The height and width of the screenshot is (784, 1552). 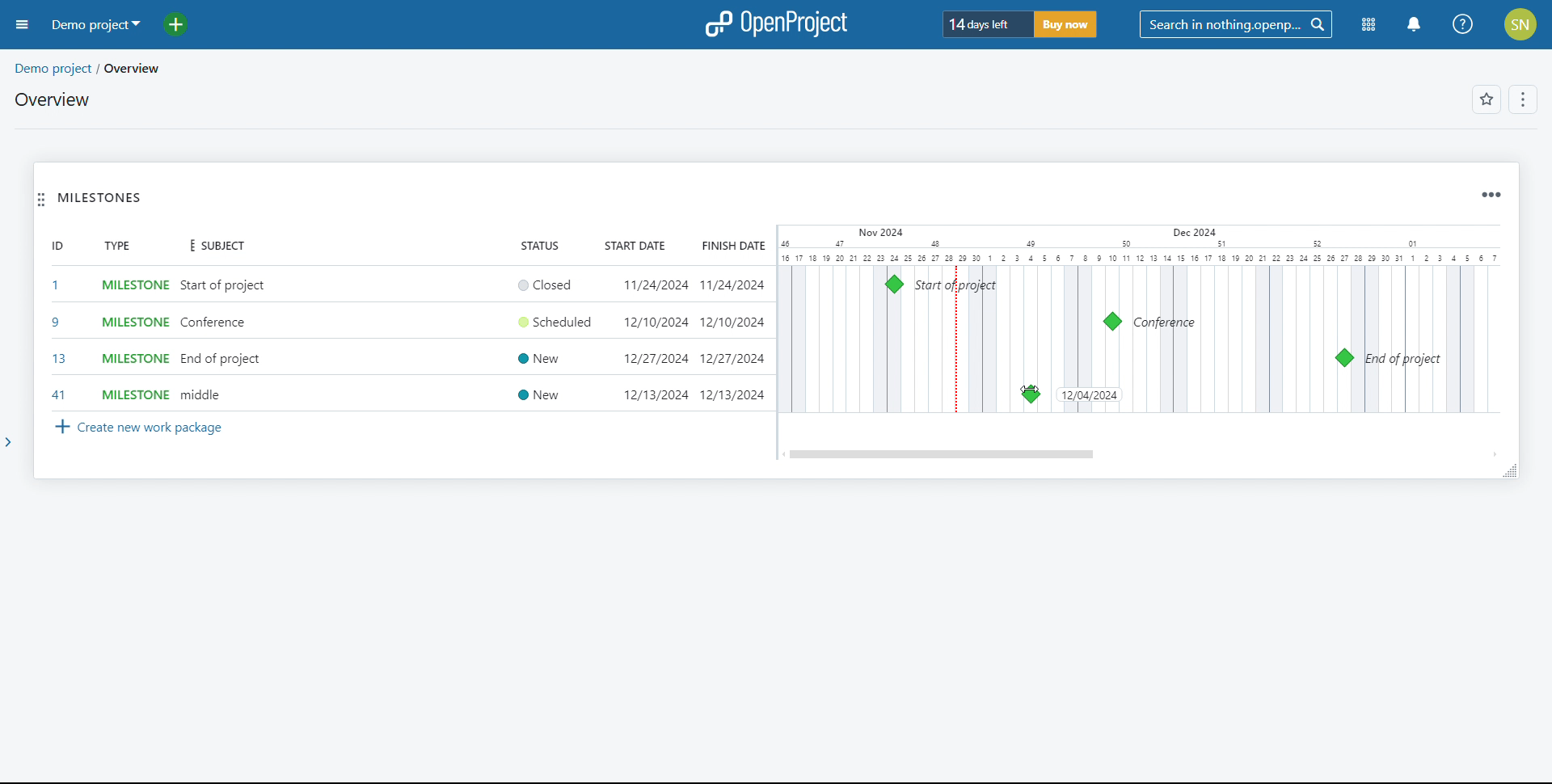 I want to click on calendar view, so click(x=1138, y=319).